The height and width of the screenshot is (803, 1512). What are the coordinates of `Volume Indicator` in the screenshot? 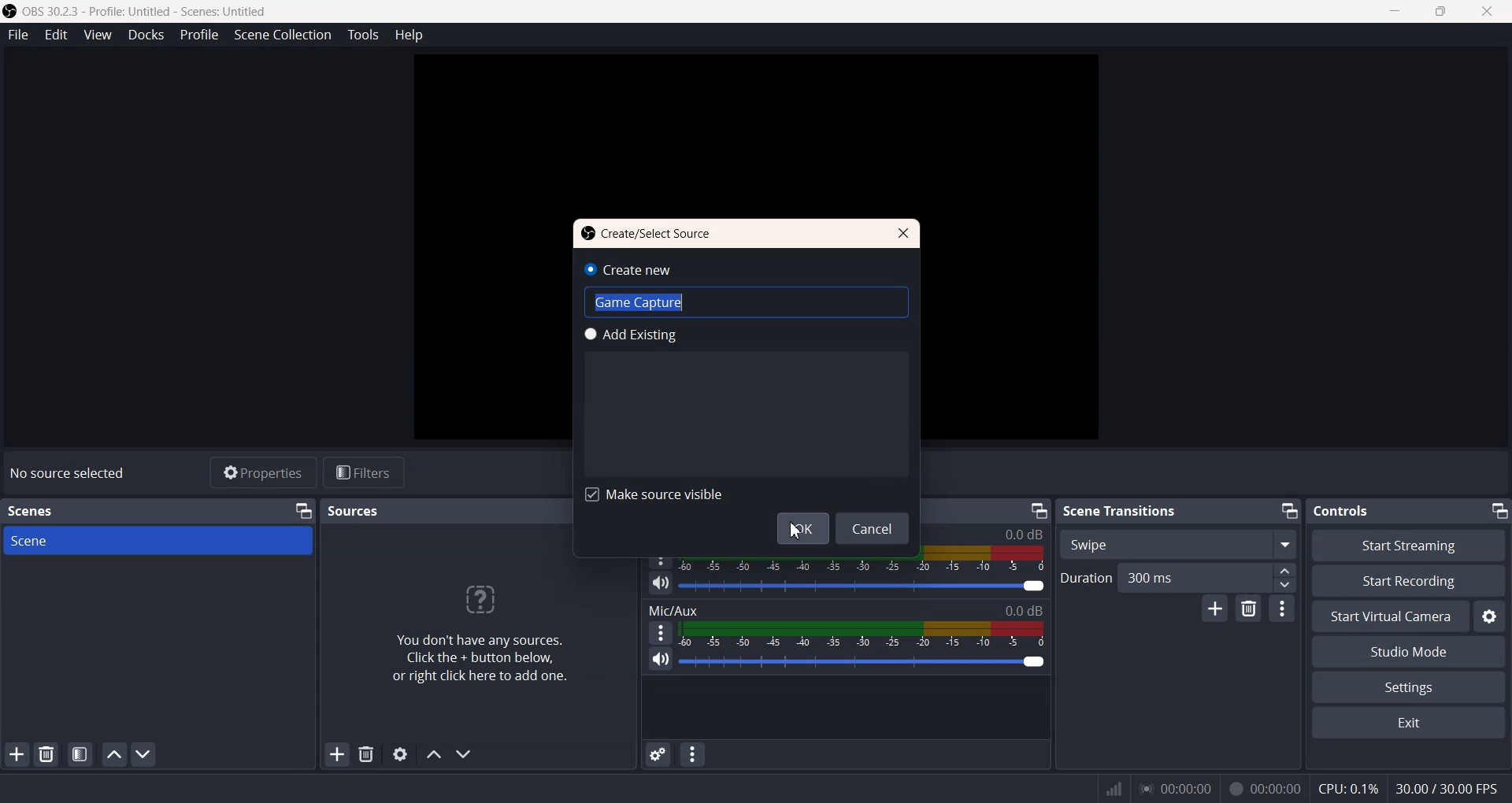 It's located at (863, 559).